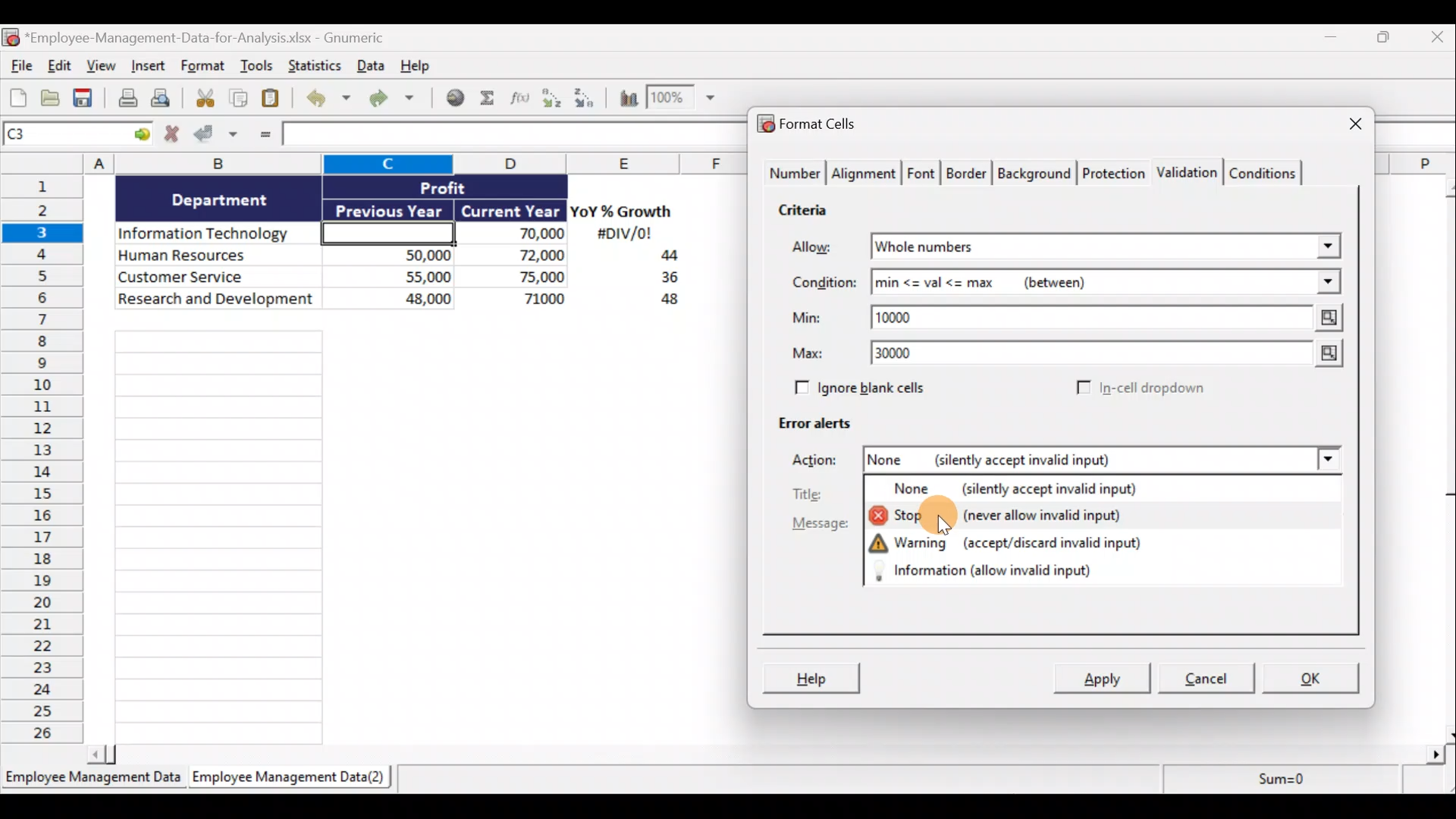 The width and height of the screenshot is (1456, 819). Describe the element at coordinates (218, 234) in the screenshot. I see `Information Technology` at that location.